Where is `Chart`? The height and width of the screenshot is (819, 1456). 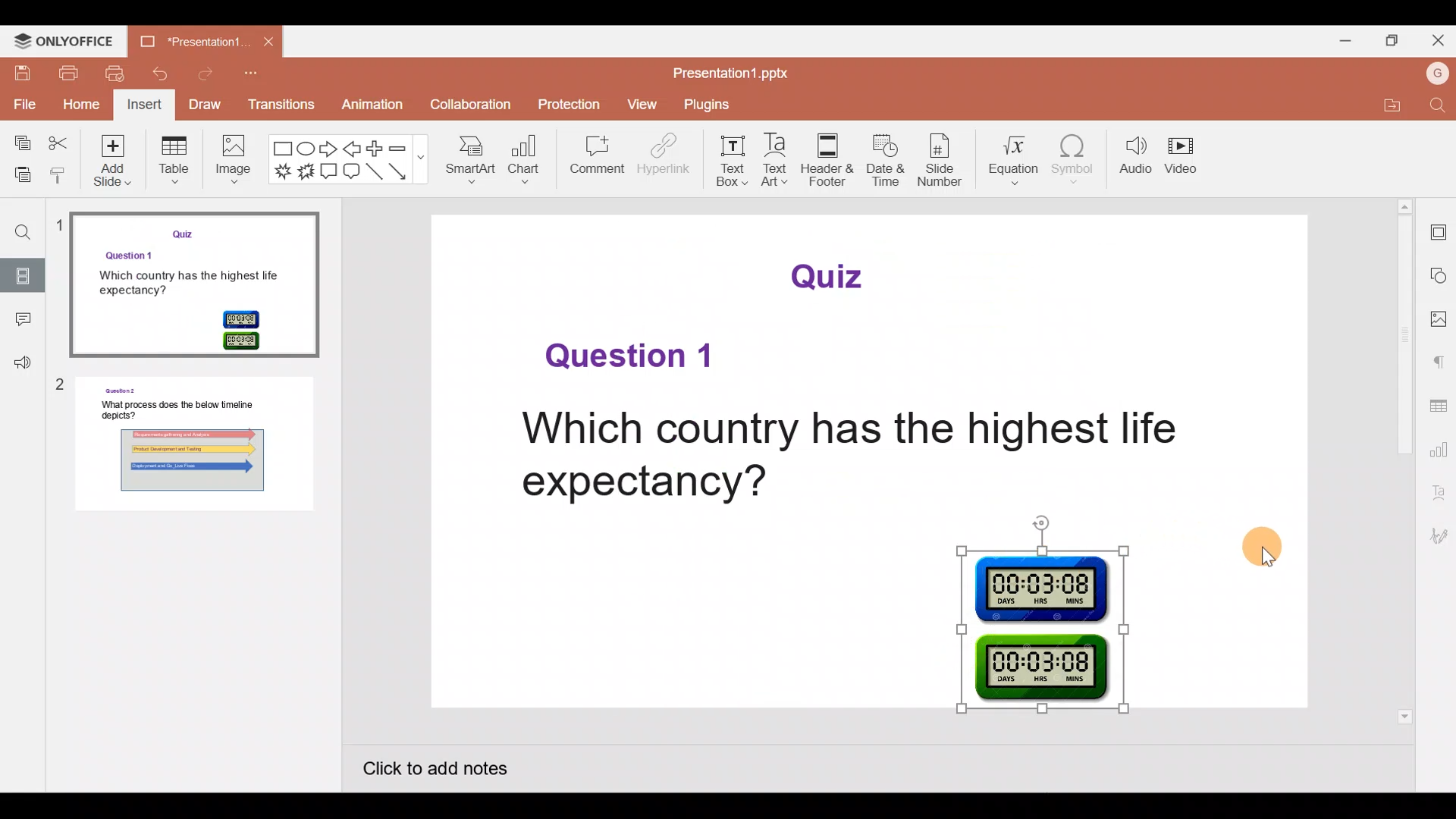 Chart is located at coordinates (526, 162).